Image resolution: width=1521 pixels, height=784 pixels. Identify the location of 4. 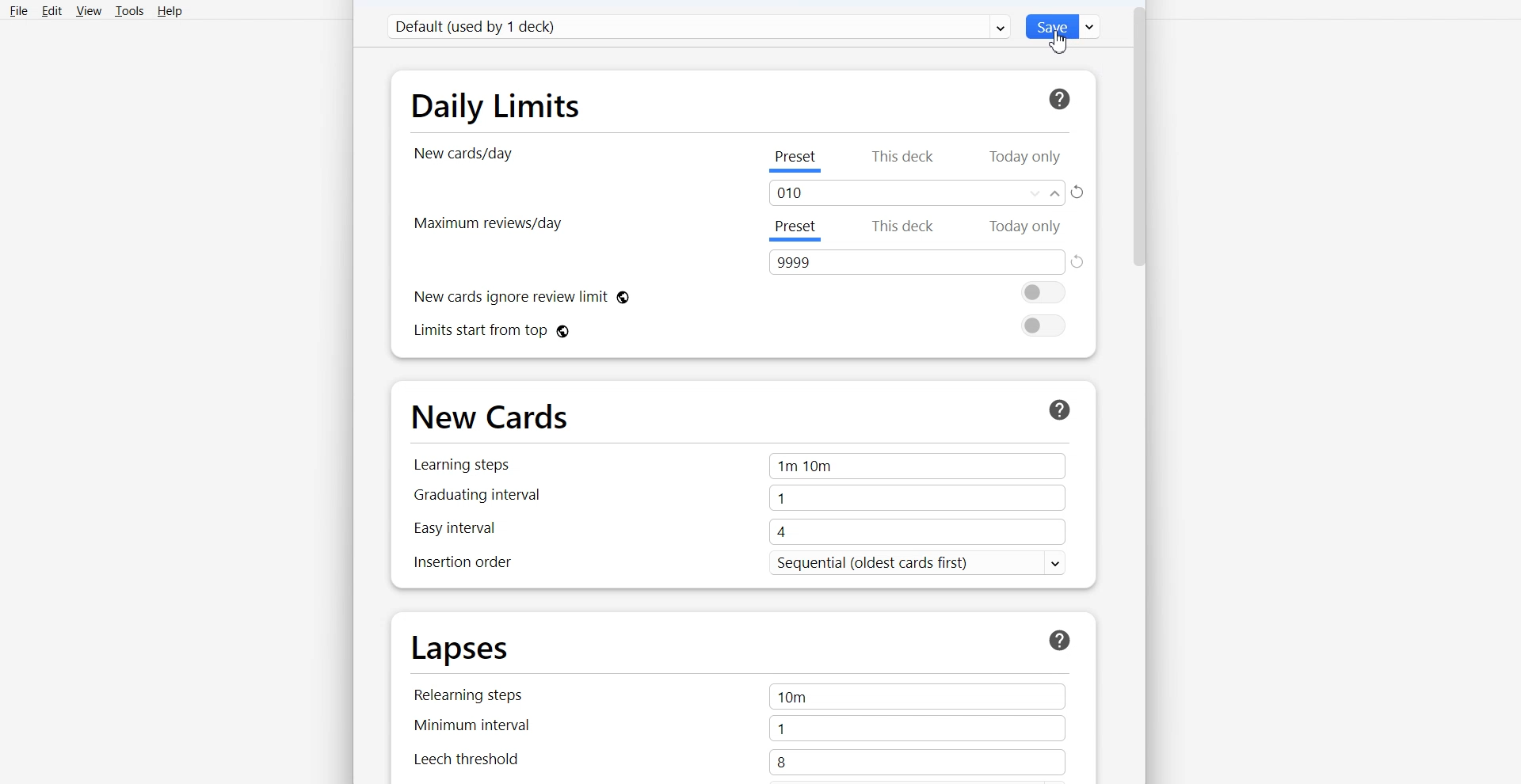
(915, 533).